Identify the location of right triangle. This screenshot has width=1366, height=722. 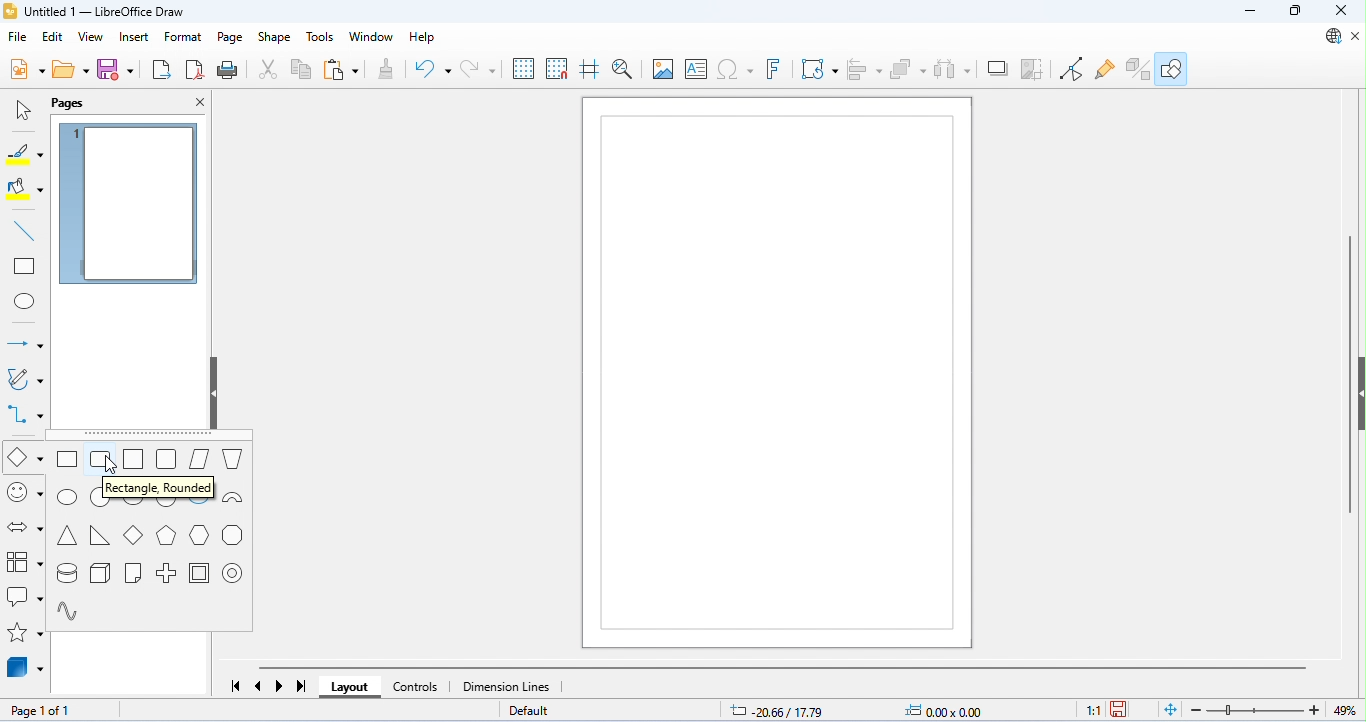
(102, 535).